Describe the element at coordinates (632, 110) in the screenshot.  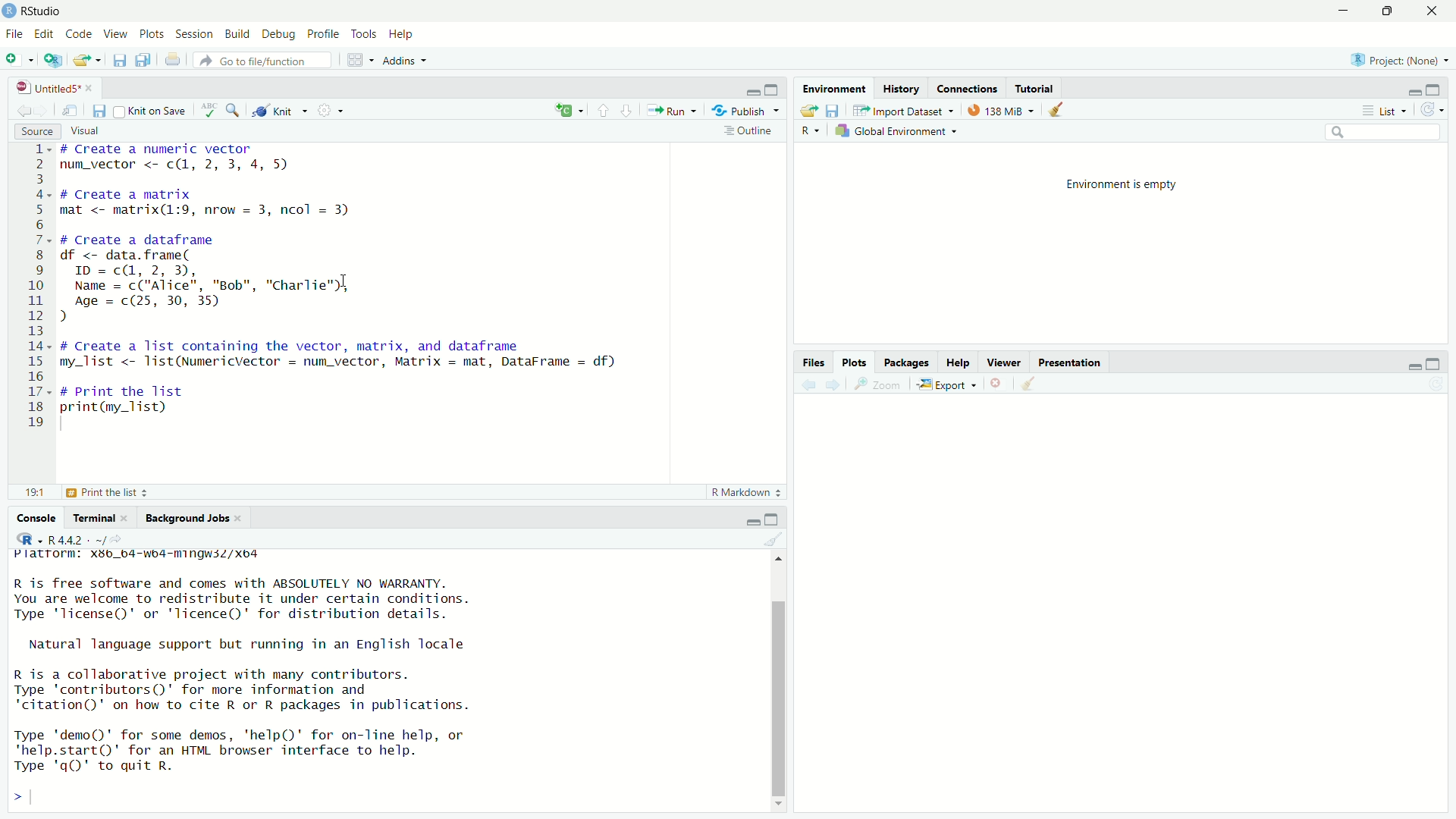
I see `downward` at that location.